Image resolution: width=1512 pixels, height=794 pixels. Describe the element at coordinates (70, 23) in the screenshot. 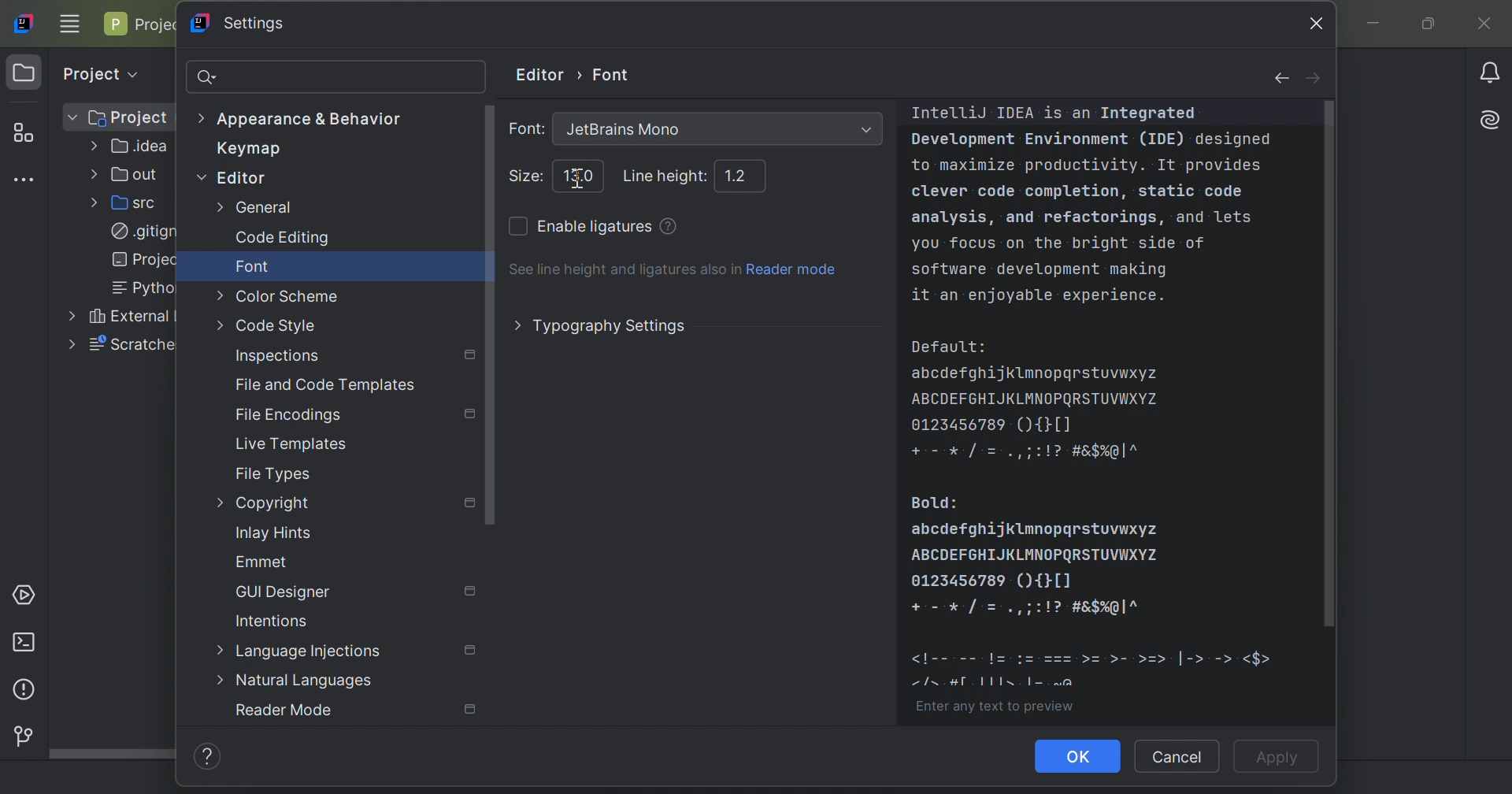

I see `Main menu` at that location.